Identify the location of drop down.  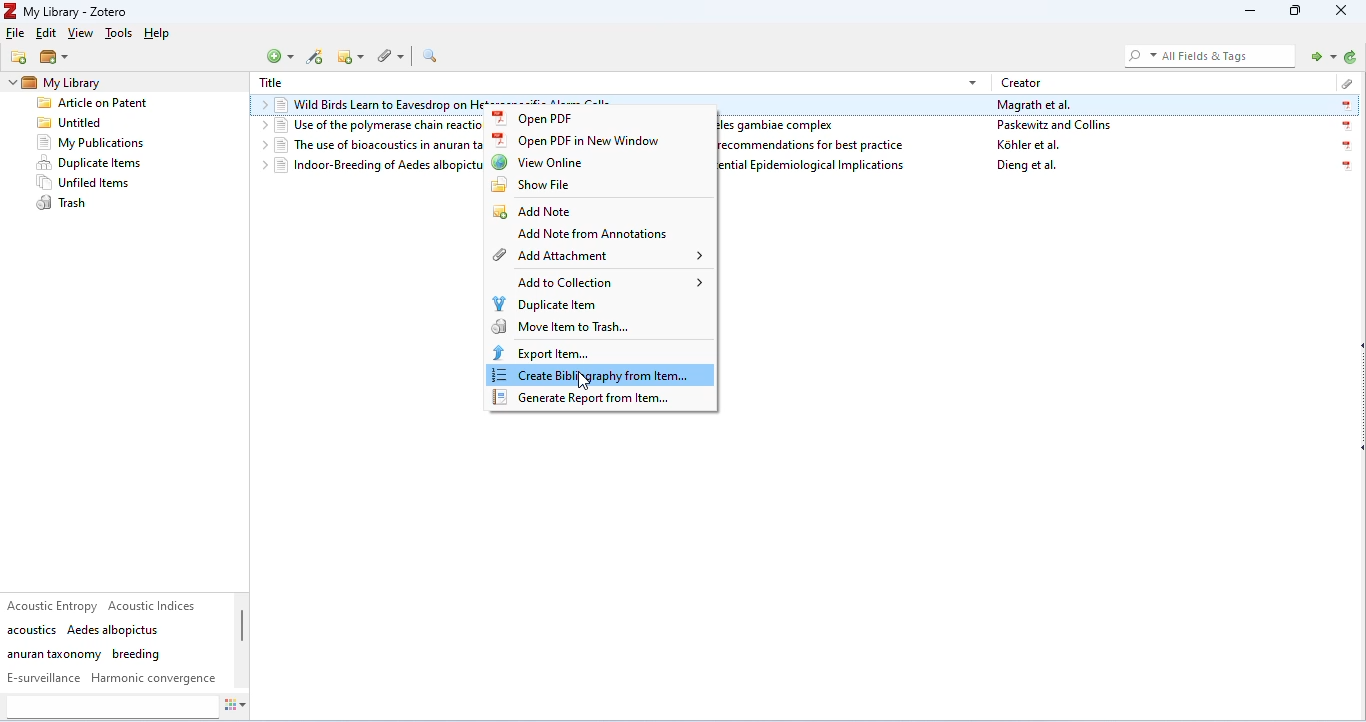
(972, 81).